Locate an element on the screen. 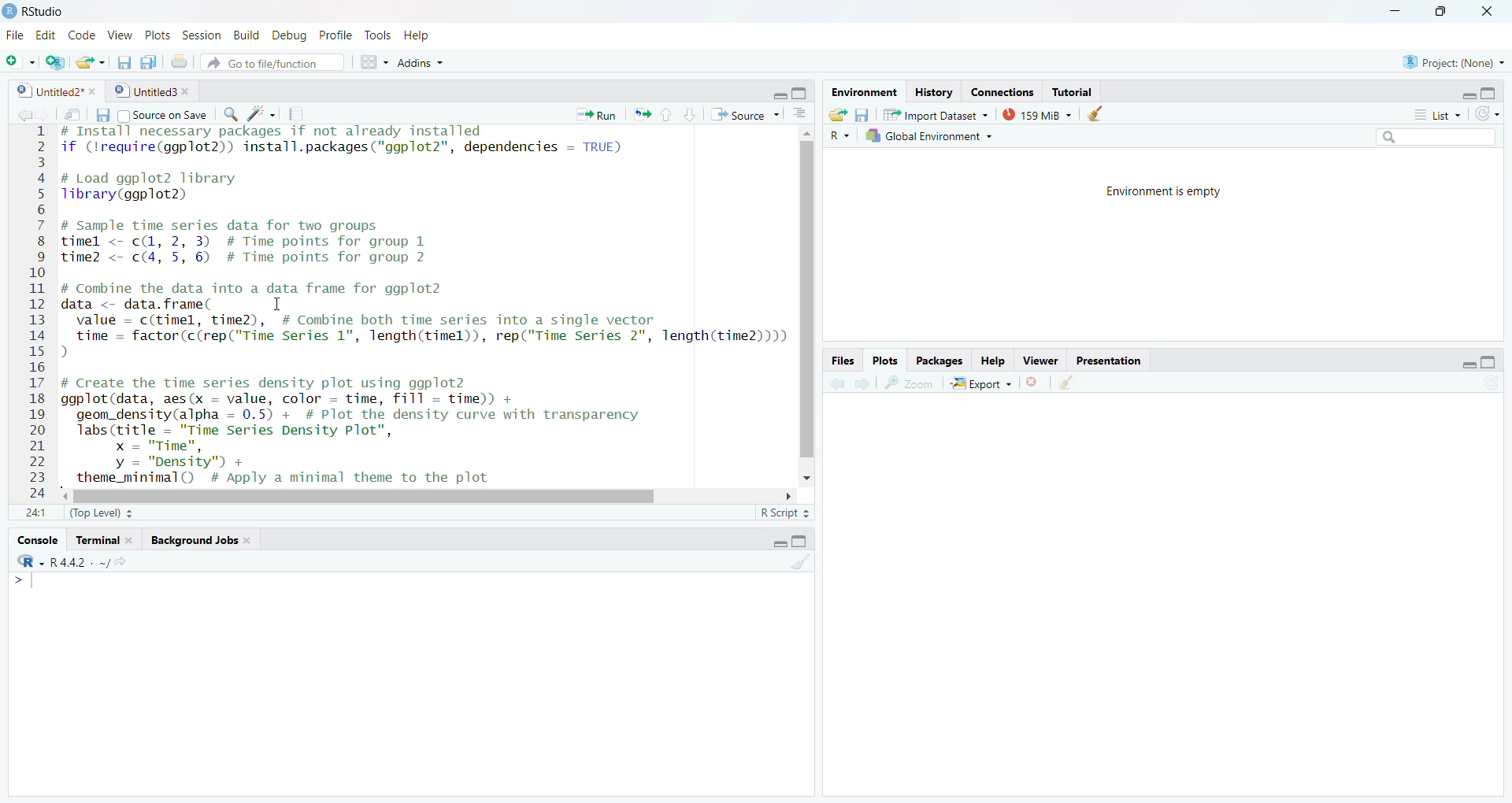 The height and width of the screenshot is (803, 1512). Cursor is located at coordinates (278, 303).